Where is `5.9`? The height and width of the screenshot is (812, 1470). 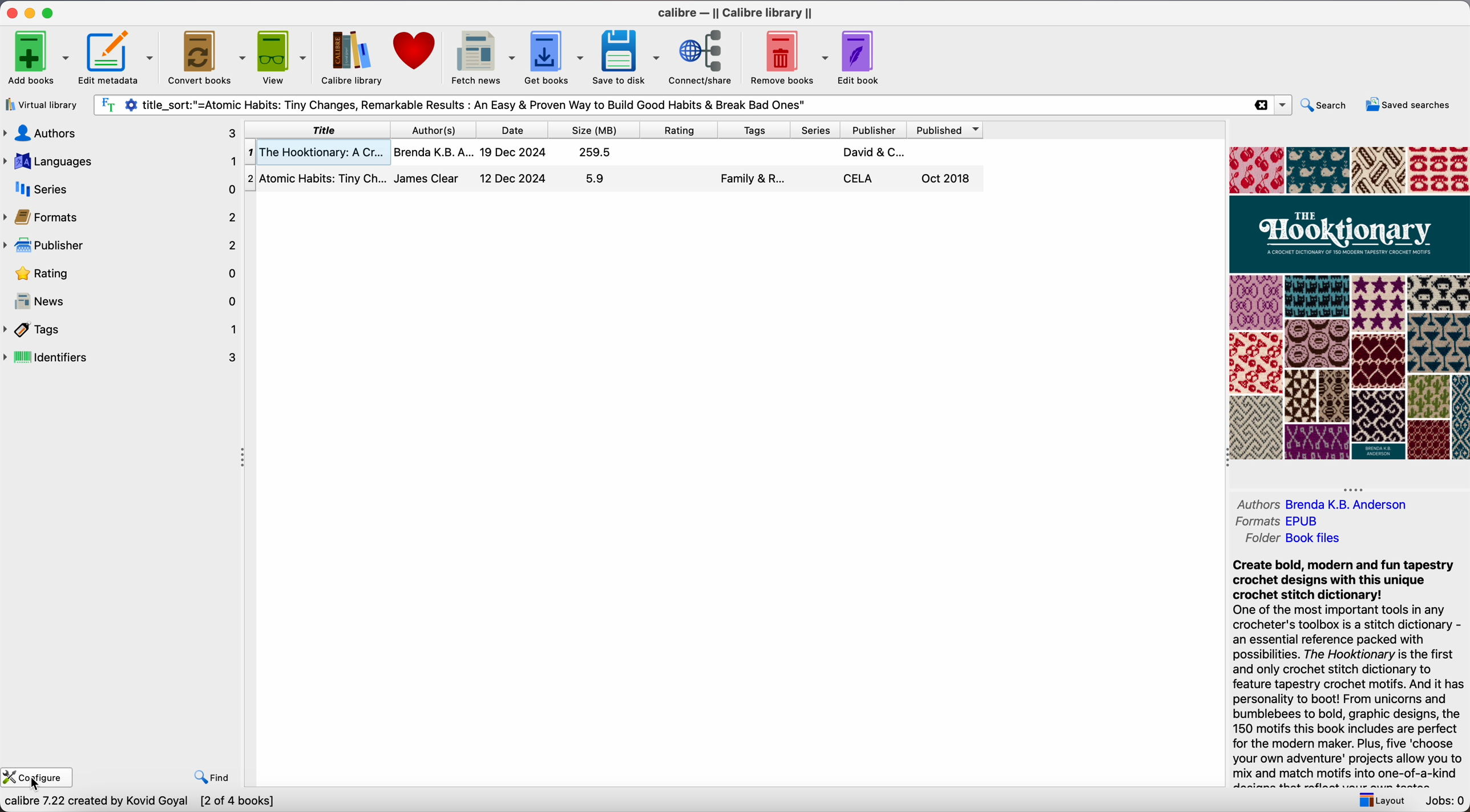
5.9 is located at coordinates (597, 179).